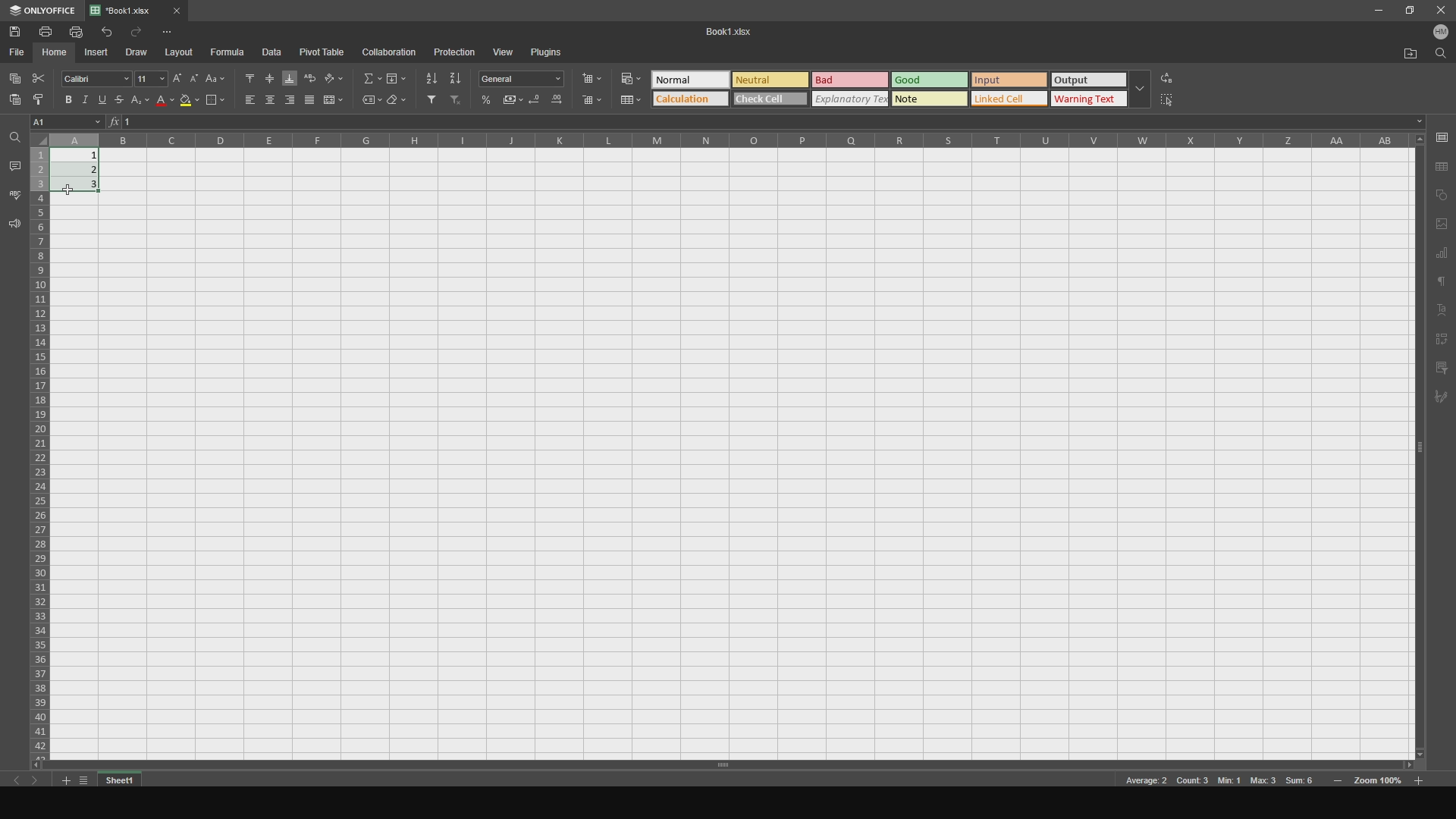 This screenshot has height=819, width=1456. I want to click on , so click(629, 76).